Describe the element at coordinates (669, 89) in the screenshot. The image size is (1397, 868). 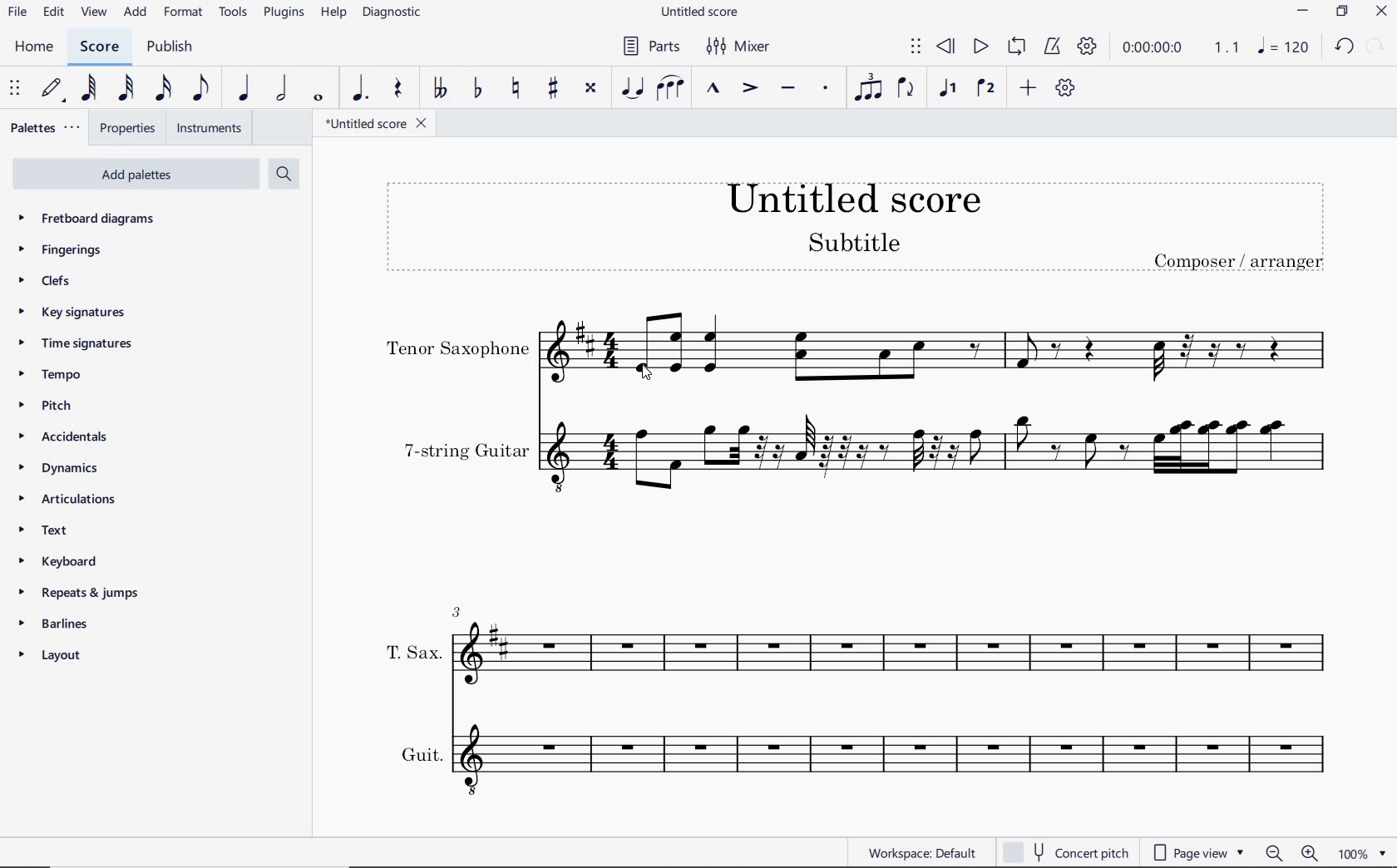
I see `SLUR` at that location.